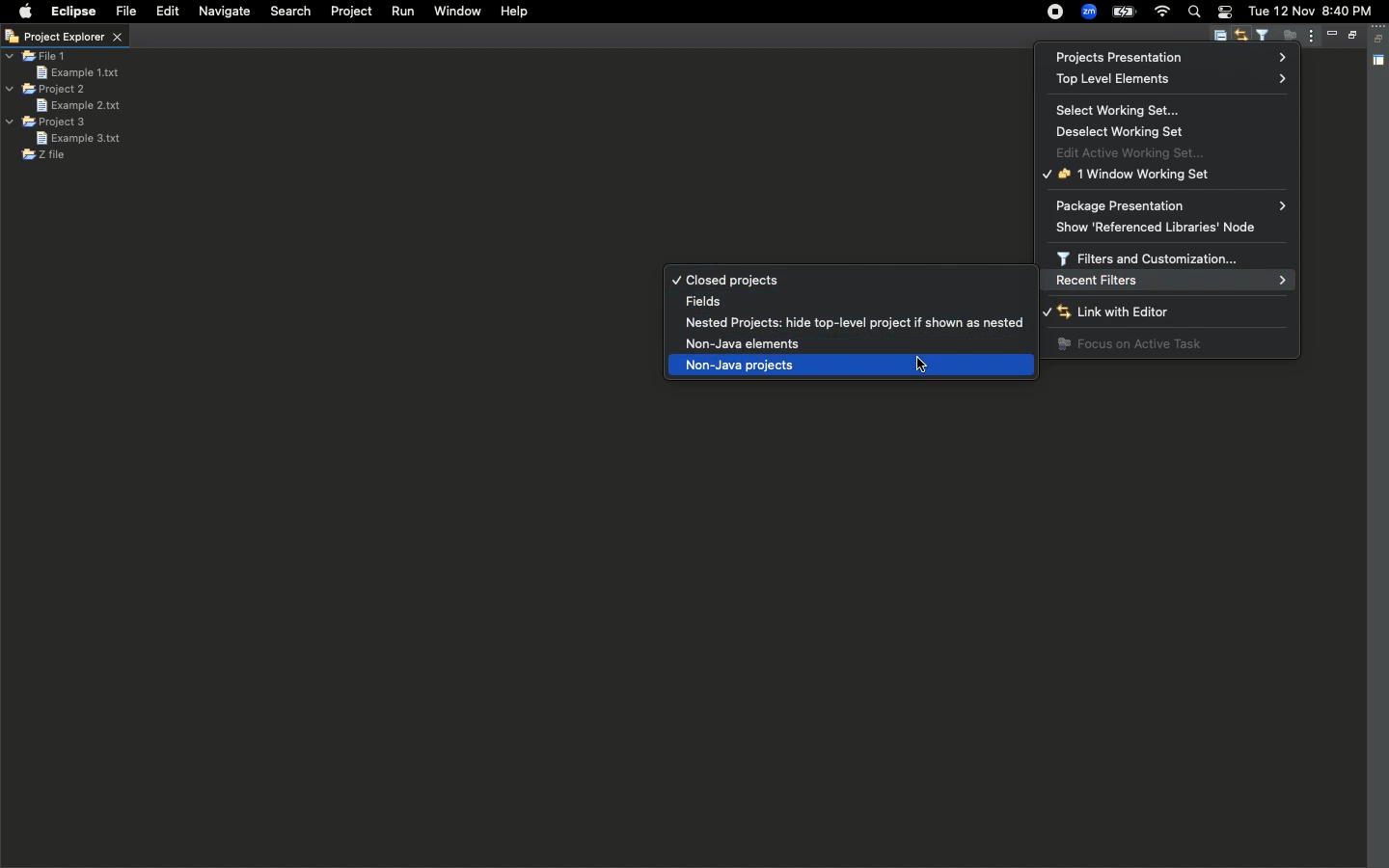  Describe the element at coordinates (1266, 36) in the screenshot. I see `Select and deselect filters ` at that location.